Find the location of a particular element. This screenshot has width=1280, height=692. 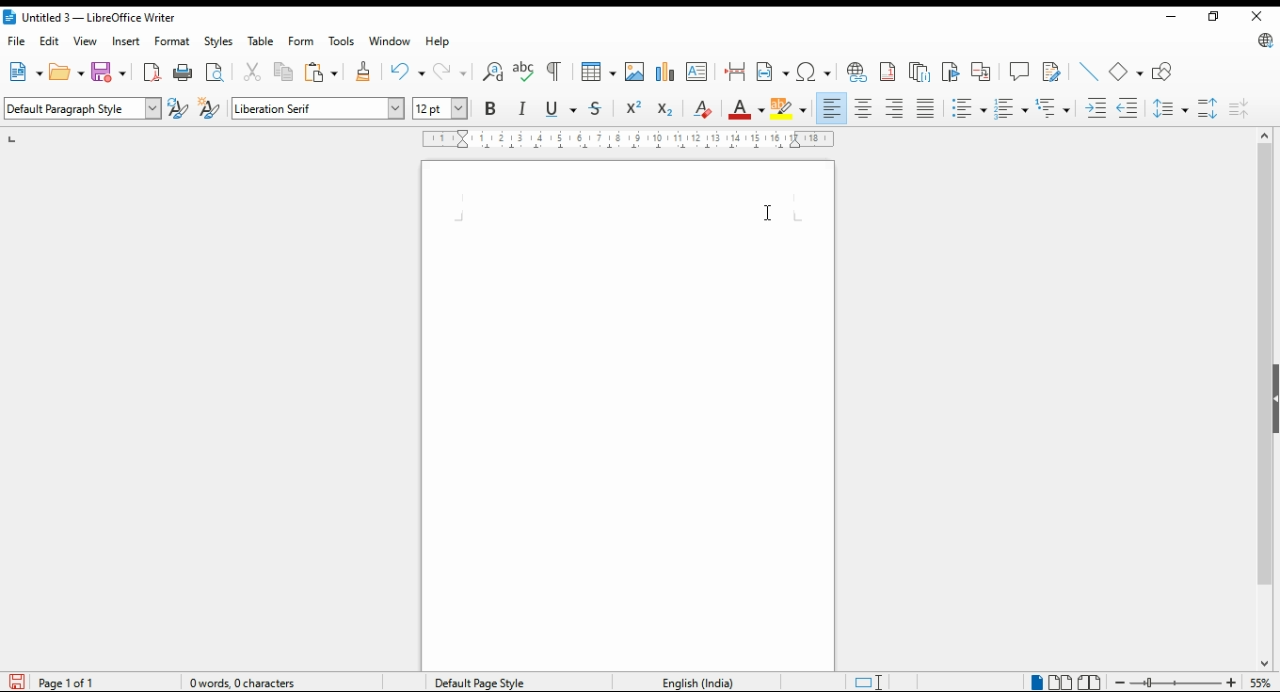

align center is located at coordinates (865, 108).